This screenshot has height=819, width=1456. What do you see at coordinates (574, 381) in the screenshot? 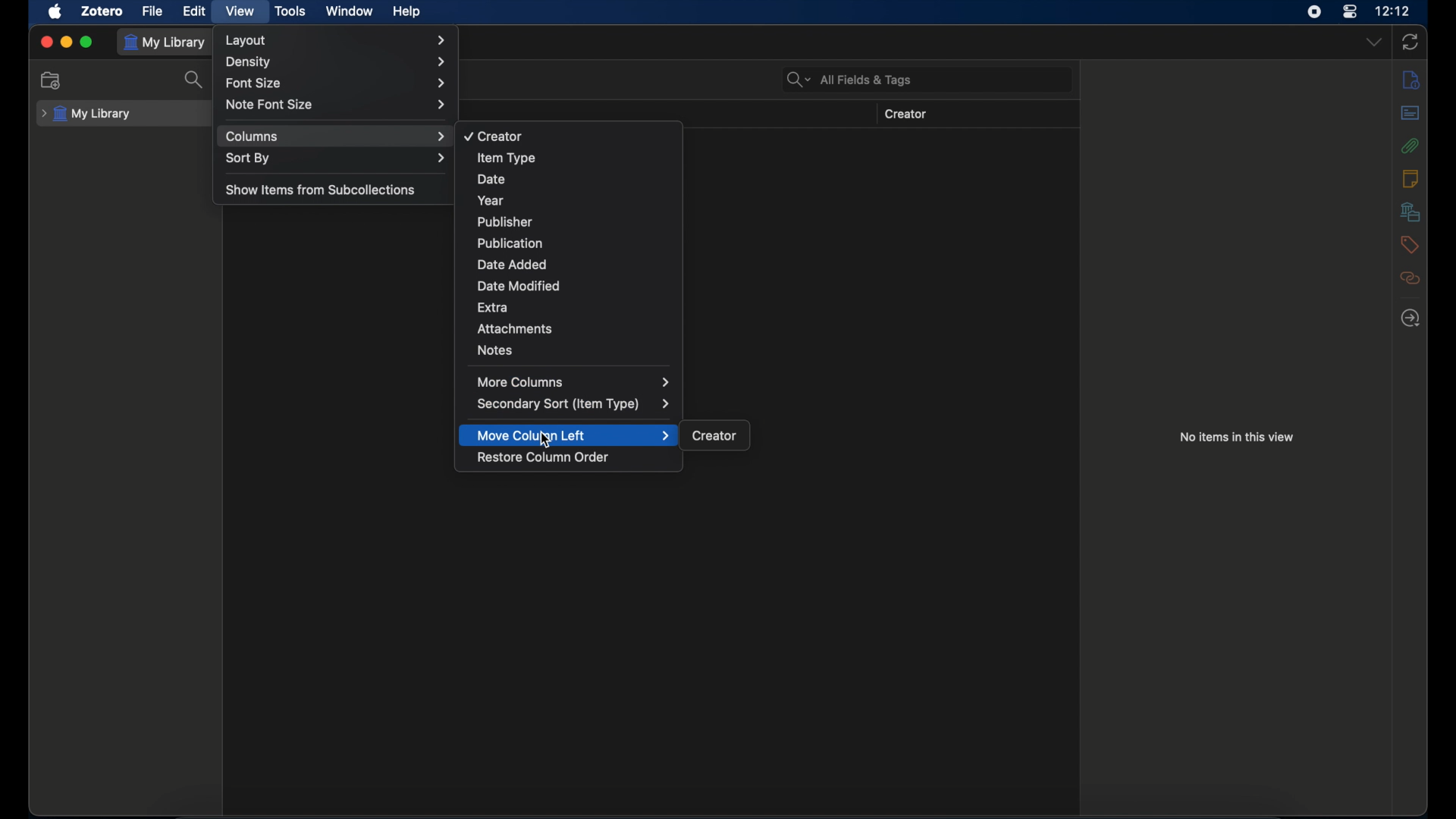
I see `more columns` at bounding box center [574, 381].